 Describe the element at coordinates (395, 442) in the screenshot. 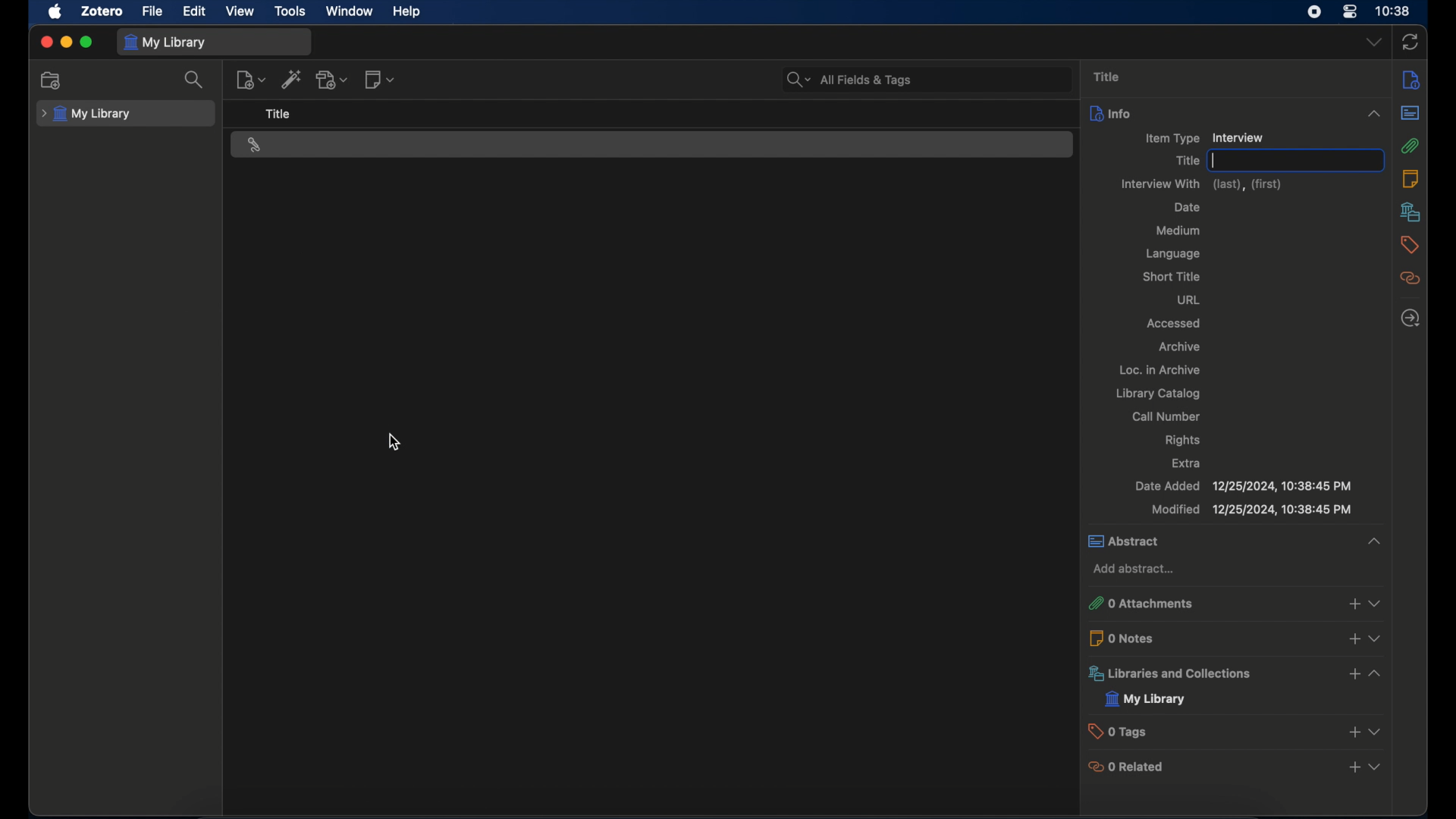

I see `cursor` at that location.